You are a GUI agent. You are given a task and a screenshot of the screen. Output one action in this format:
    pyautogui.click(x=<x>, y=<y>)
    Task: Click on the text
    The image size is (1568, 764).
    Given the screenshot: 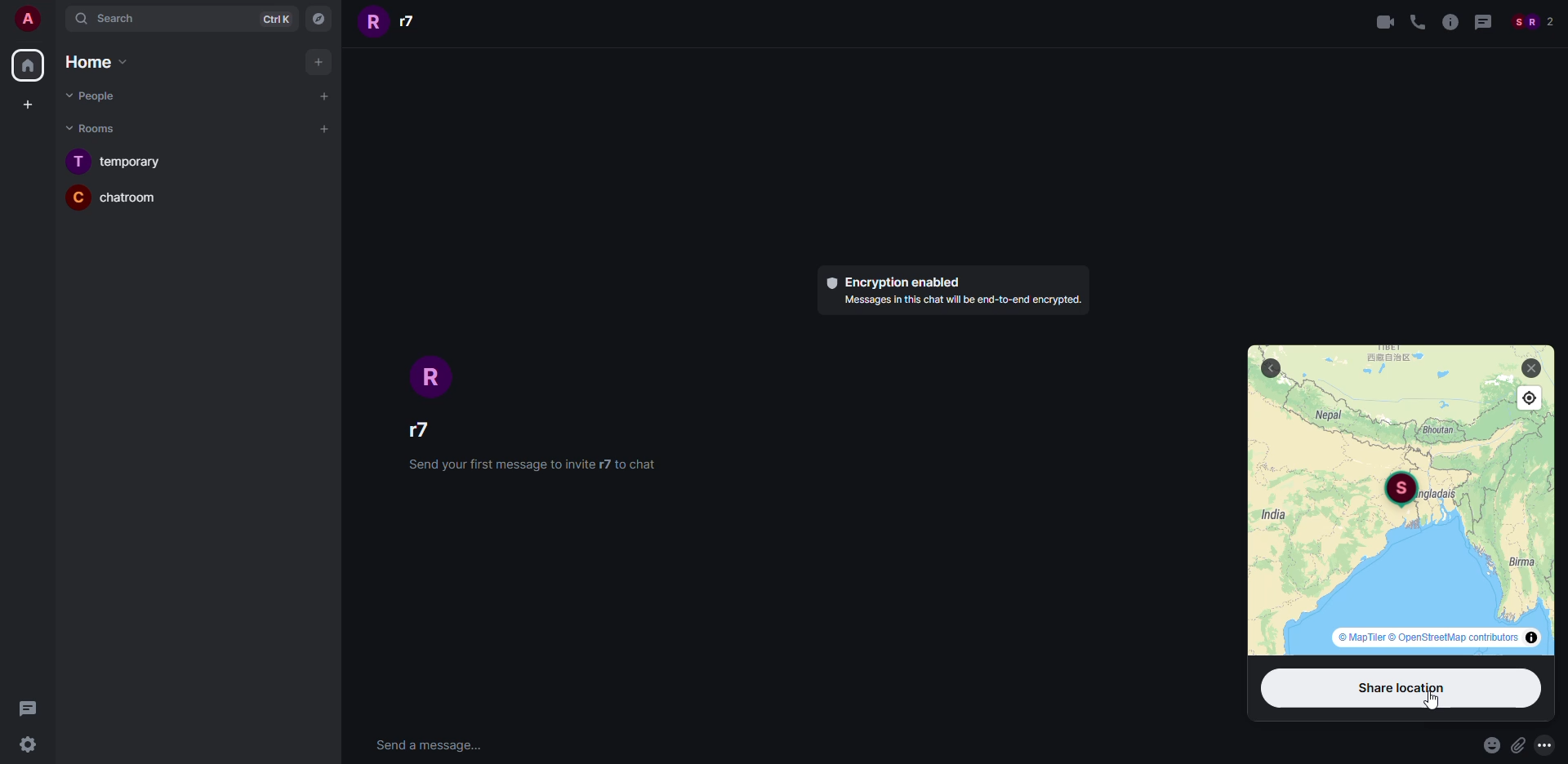 What is the action you would take?
    pyautogui.click(x=530, y=464)
    